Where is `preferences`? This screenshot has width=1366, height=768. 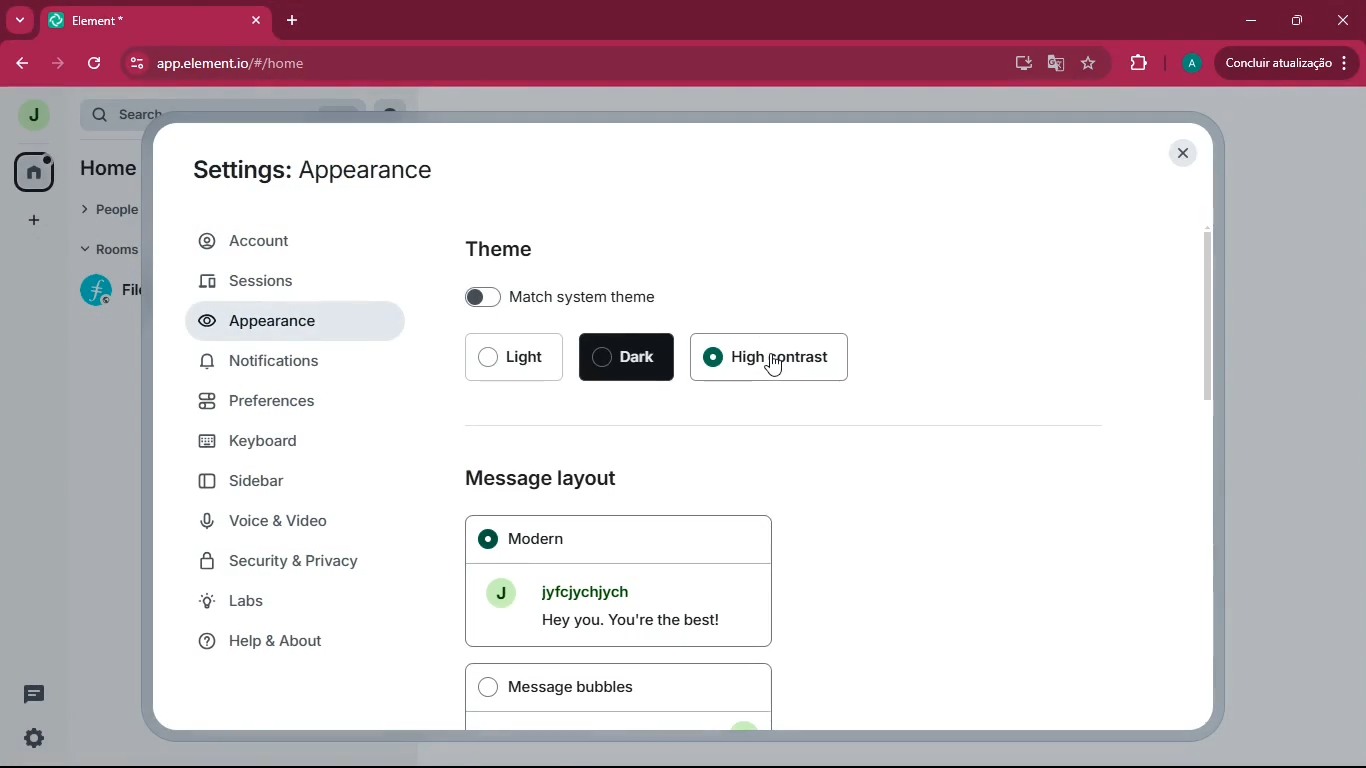 preferences is located at coordinates (291, 406).